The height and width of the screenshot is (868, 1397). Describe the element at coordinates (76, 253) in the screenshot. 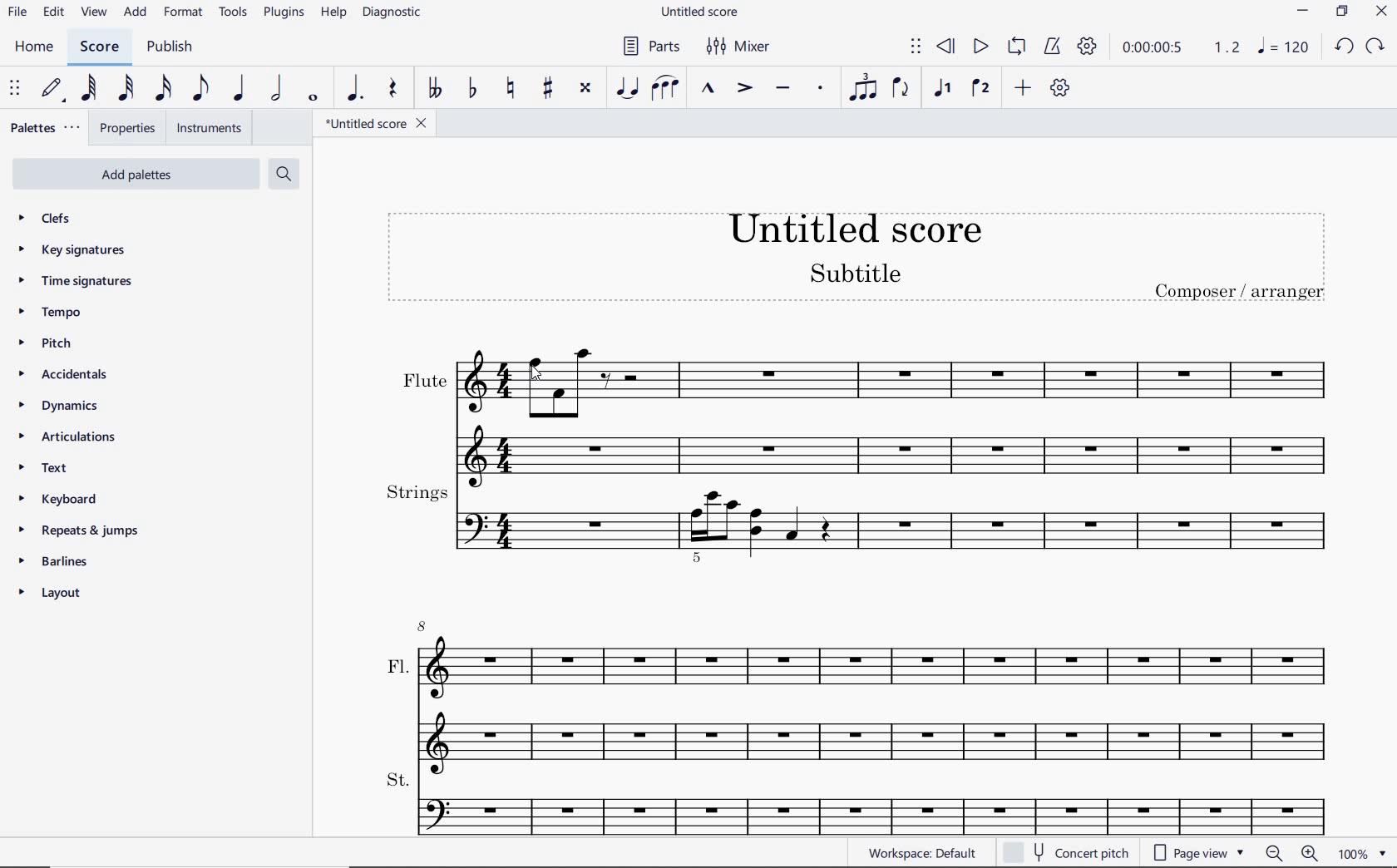

I see `key signatures` at that location.